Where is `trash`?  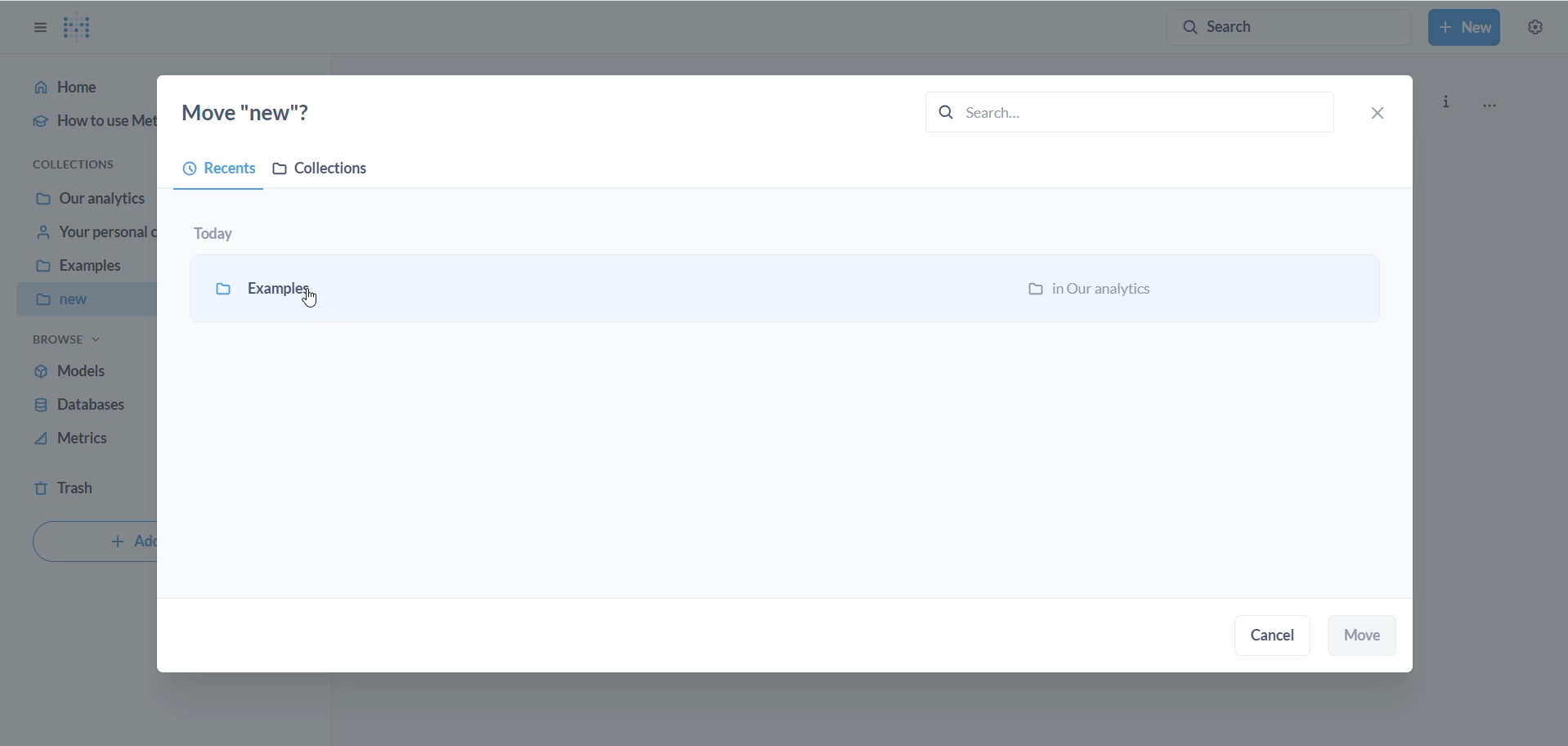 trash is located at coordinates (80, 490).